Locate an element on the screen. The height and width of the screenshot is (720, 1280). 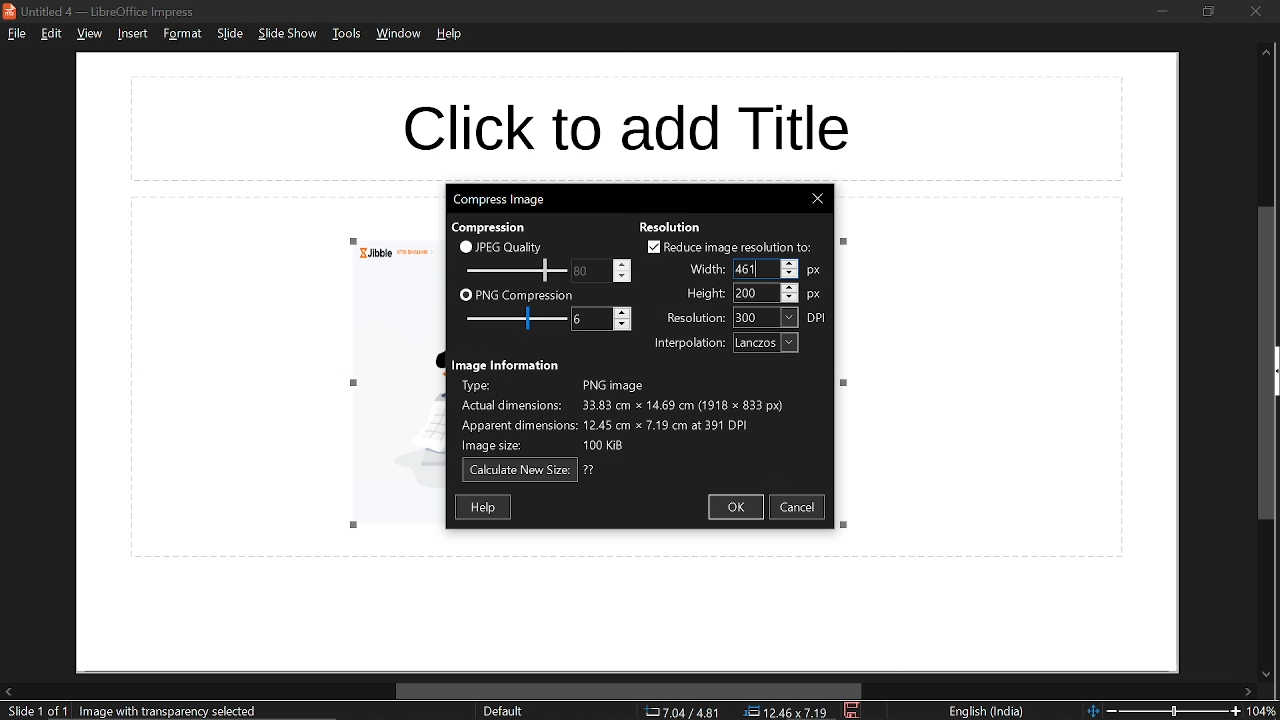
dpi is located at coordinates (819, 318).